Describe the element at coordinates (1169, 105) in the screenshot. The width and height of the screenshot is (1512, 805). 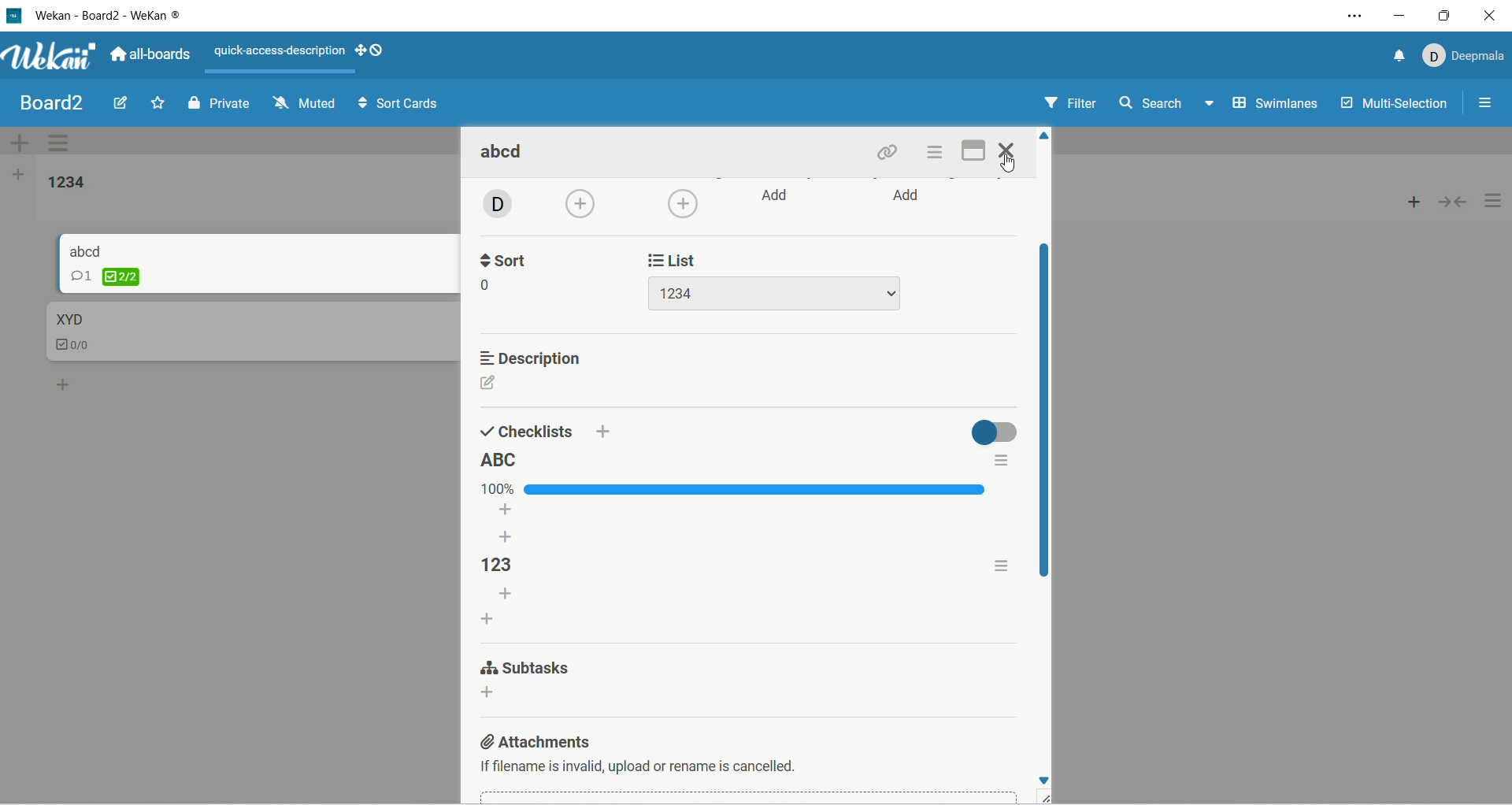
I see `search` at that location.